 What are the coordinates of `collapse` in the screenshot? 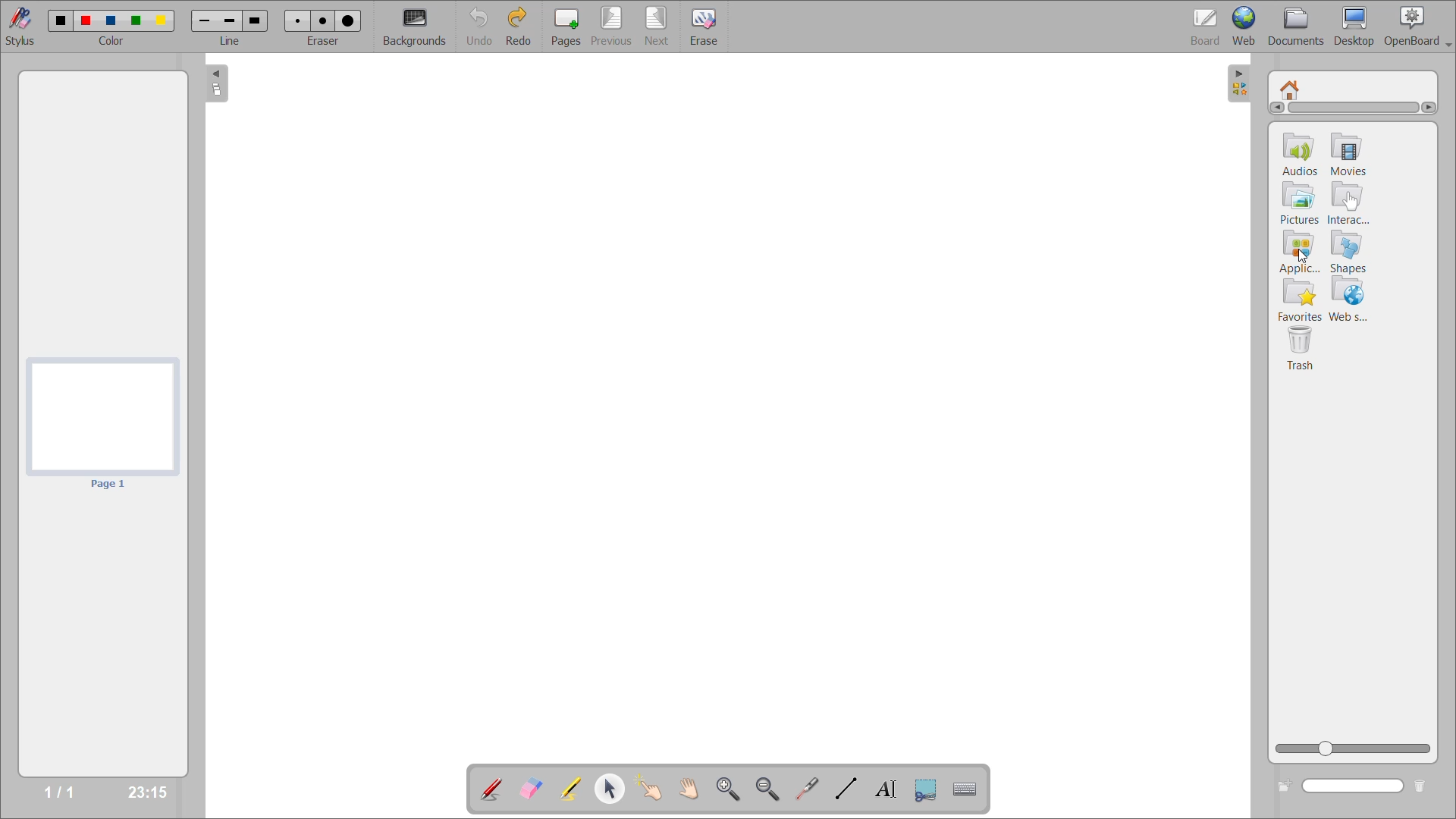 It's located at (218, 85).